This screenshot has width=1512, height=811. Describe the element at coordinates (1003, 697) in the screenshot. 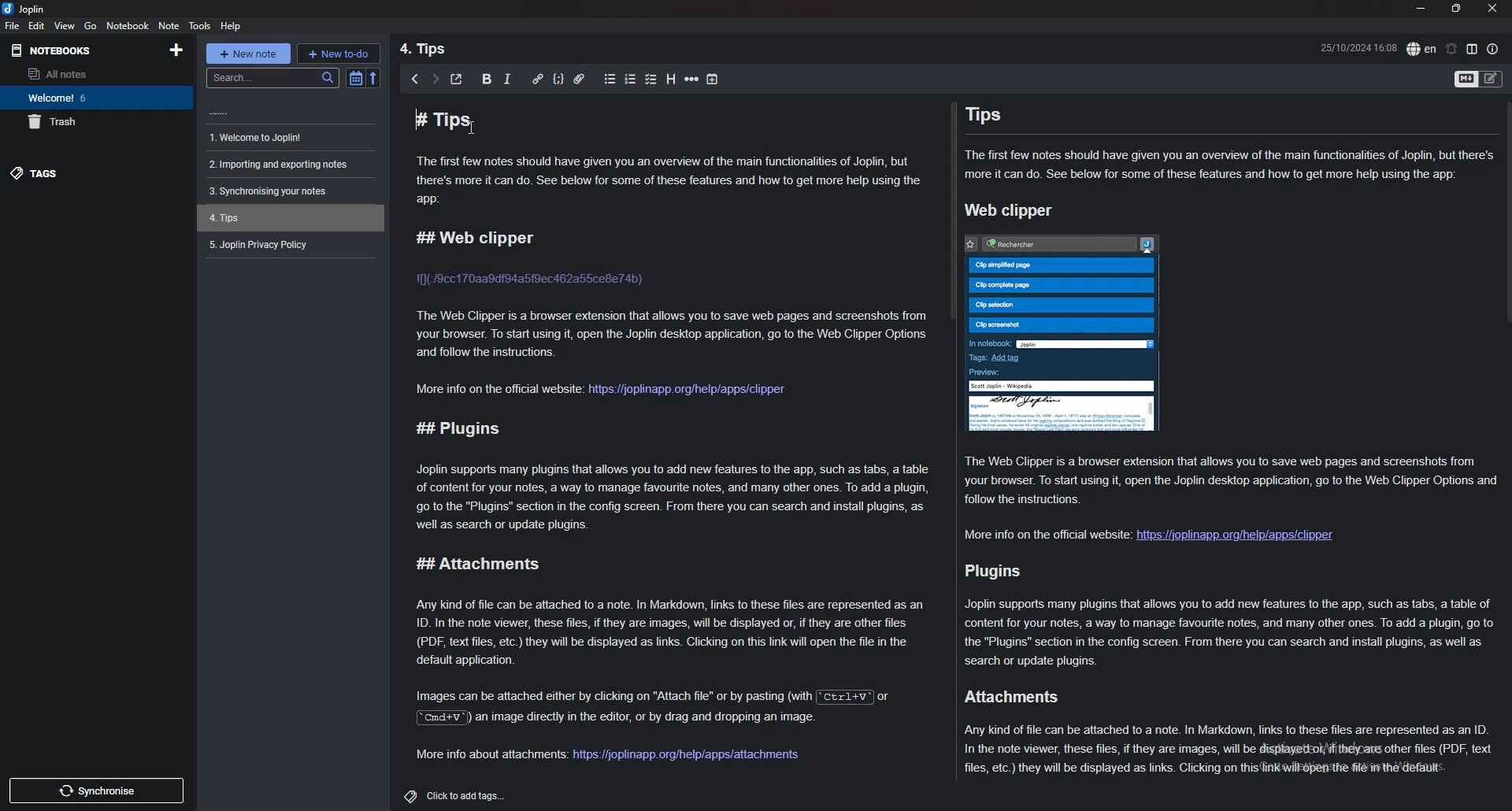

I see `Attachments` at that location.